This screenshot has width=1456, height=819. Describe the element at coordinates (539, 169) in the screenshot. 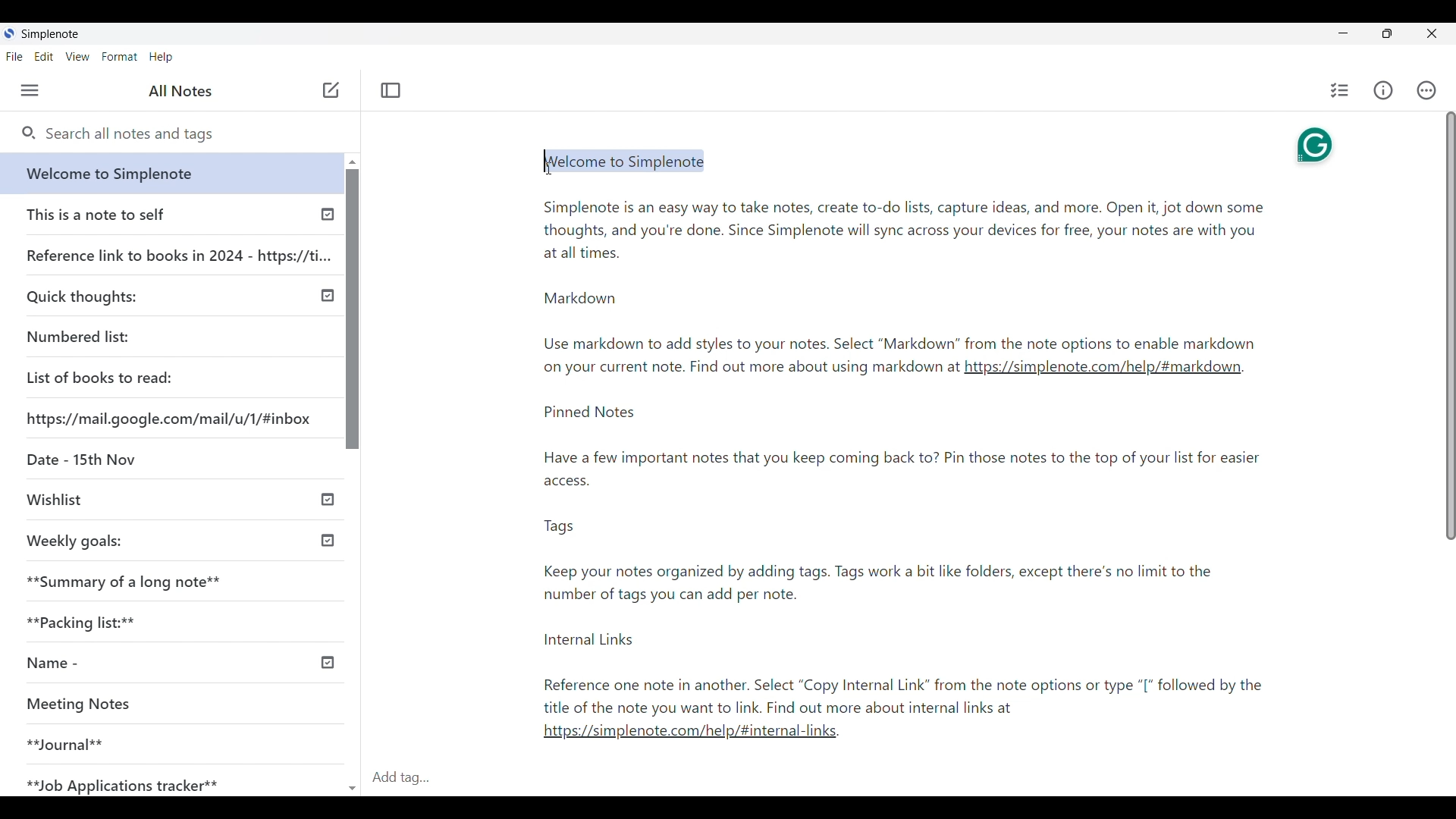

I see `cursor` at that location.